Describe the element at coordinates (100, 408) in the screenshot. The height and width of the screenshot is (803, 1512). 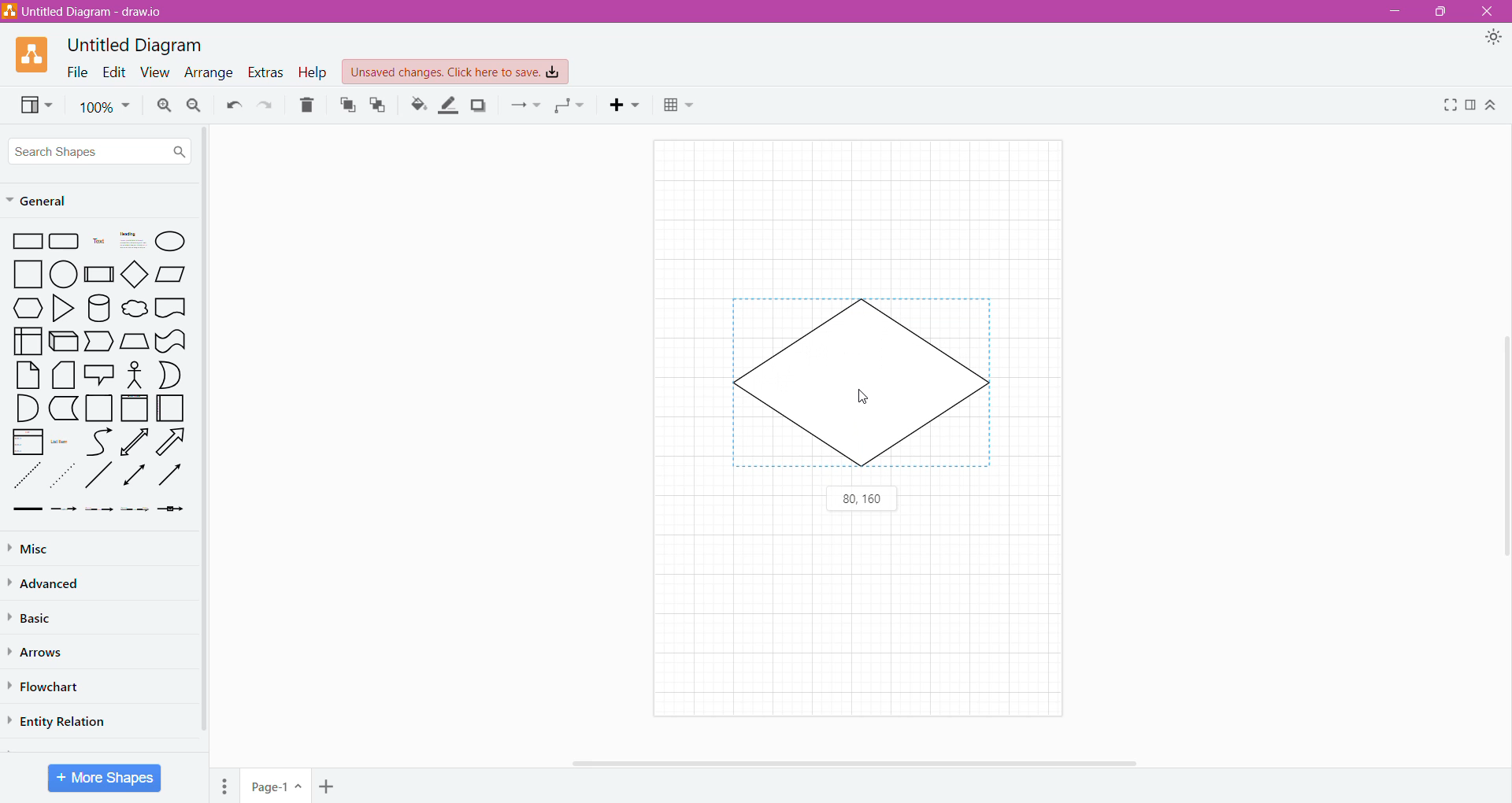
I see `Container` at that location.